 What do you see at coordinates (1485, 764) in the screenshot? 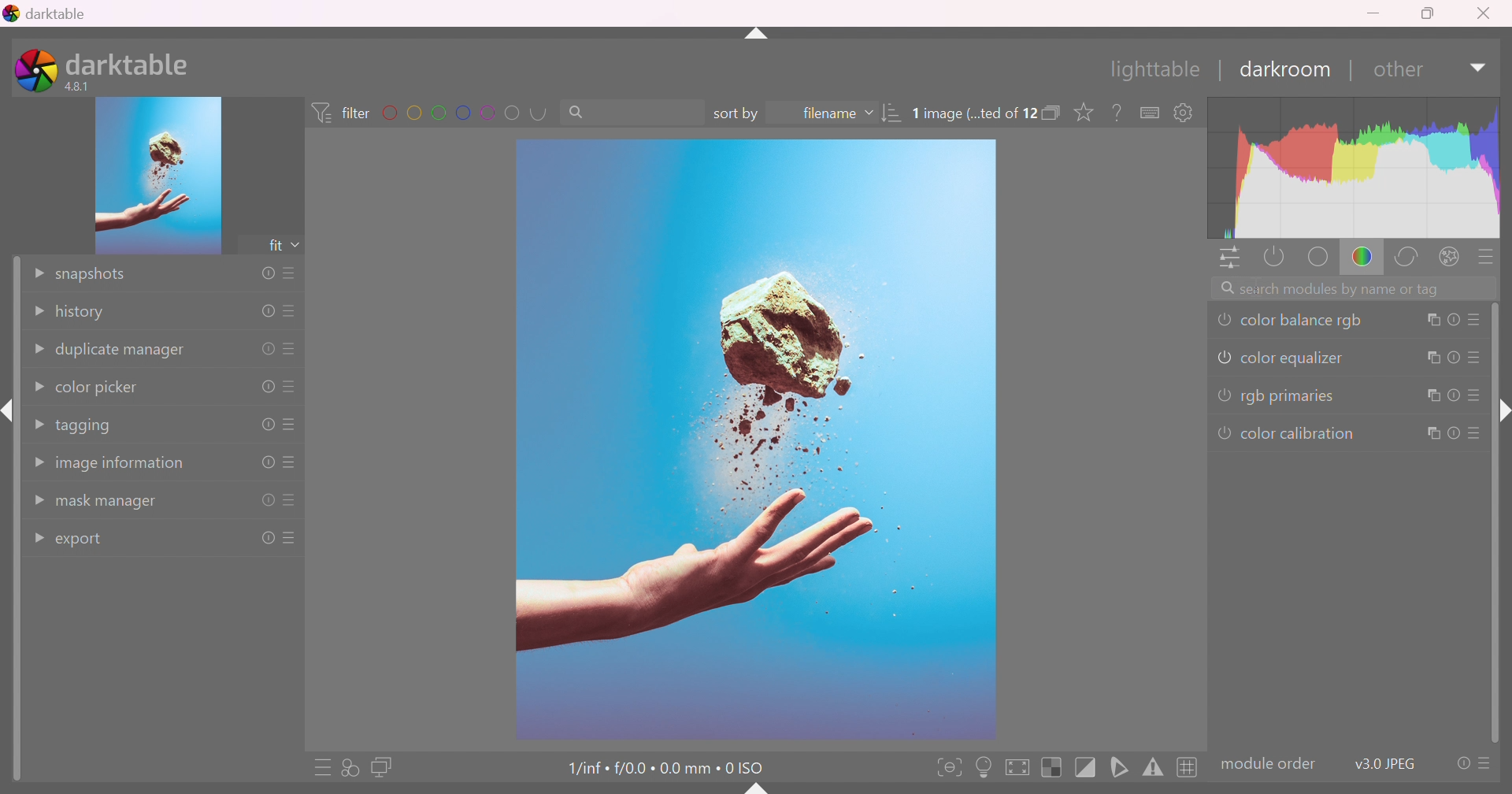
I see `presets` at bounding box center [1485, 764].